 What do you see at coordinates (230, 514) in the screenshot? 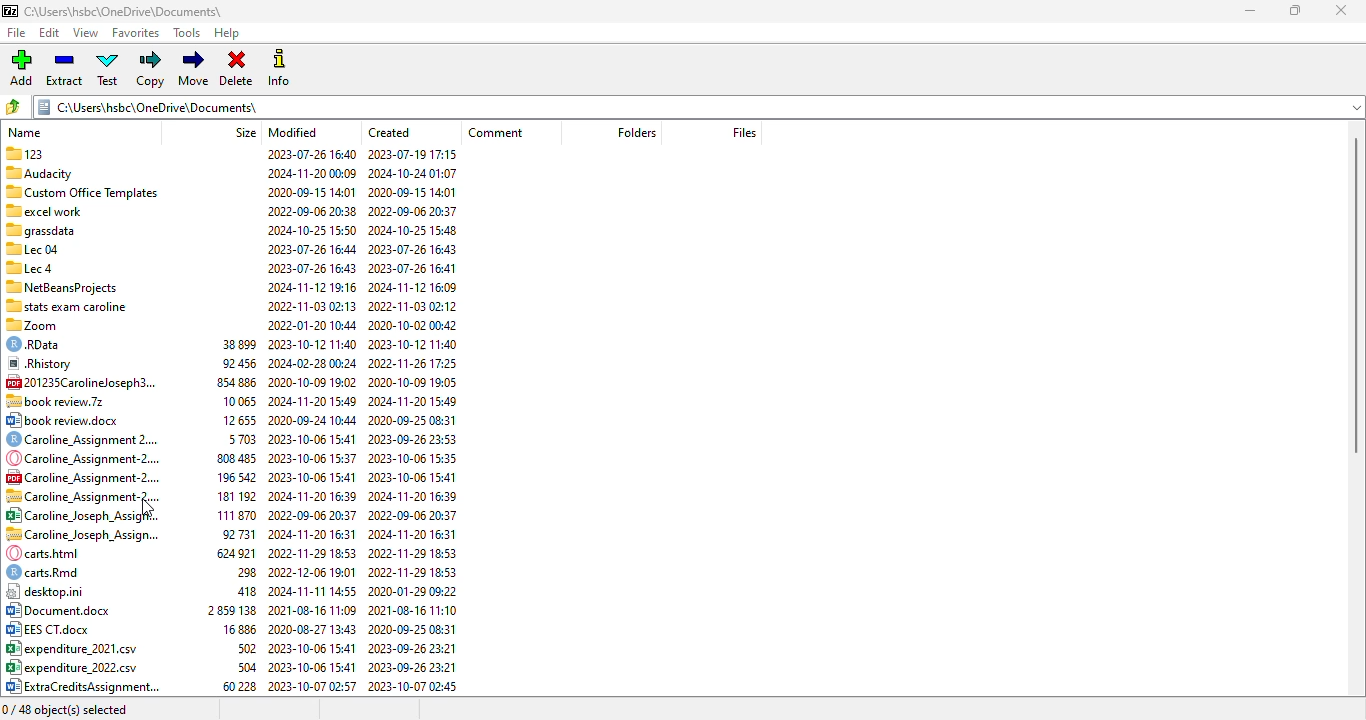
I see `85 Caroline Joseph Assigf¥.. 111870 2022-09-06 20:37 2022-09-06 20:37` at bounding box center [230, 514].